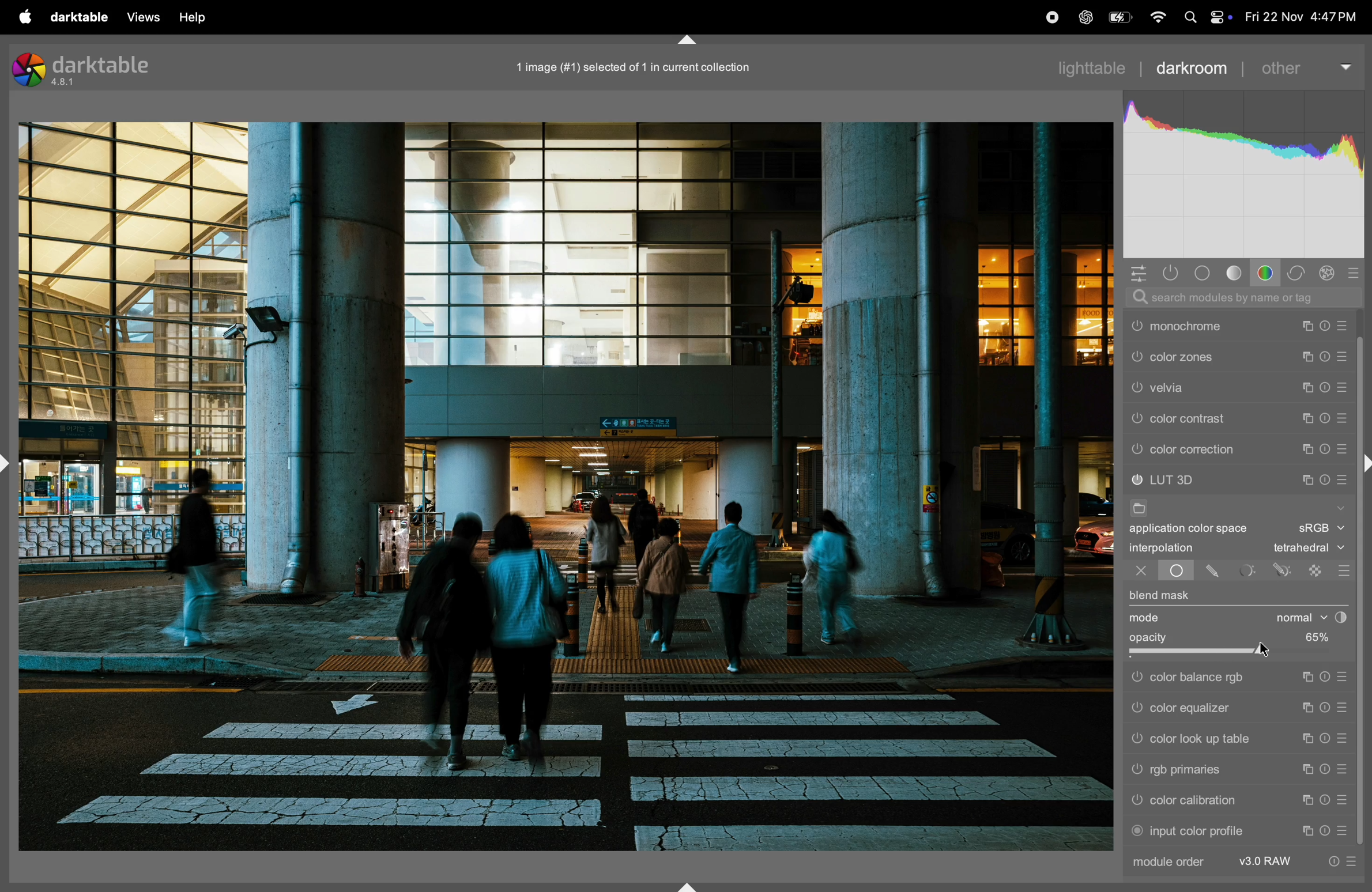 Image resolution: width=1372 pixels, height=892 pixels. What do you see at coordinates (1248, 570) in the screenshot?
I see `parametric mask` at bounding box center [1248, 570].